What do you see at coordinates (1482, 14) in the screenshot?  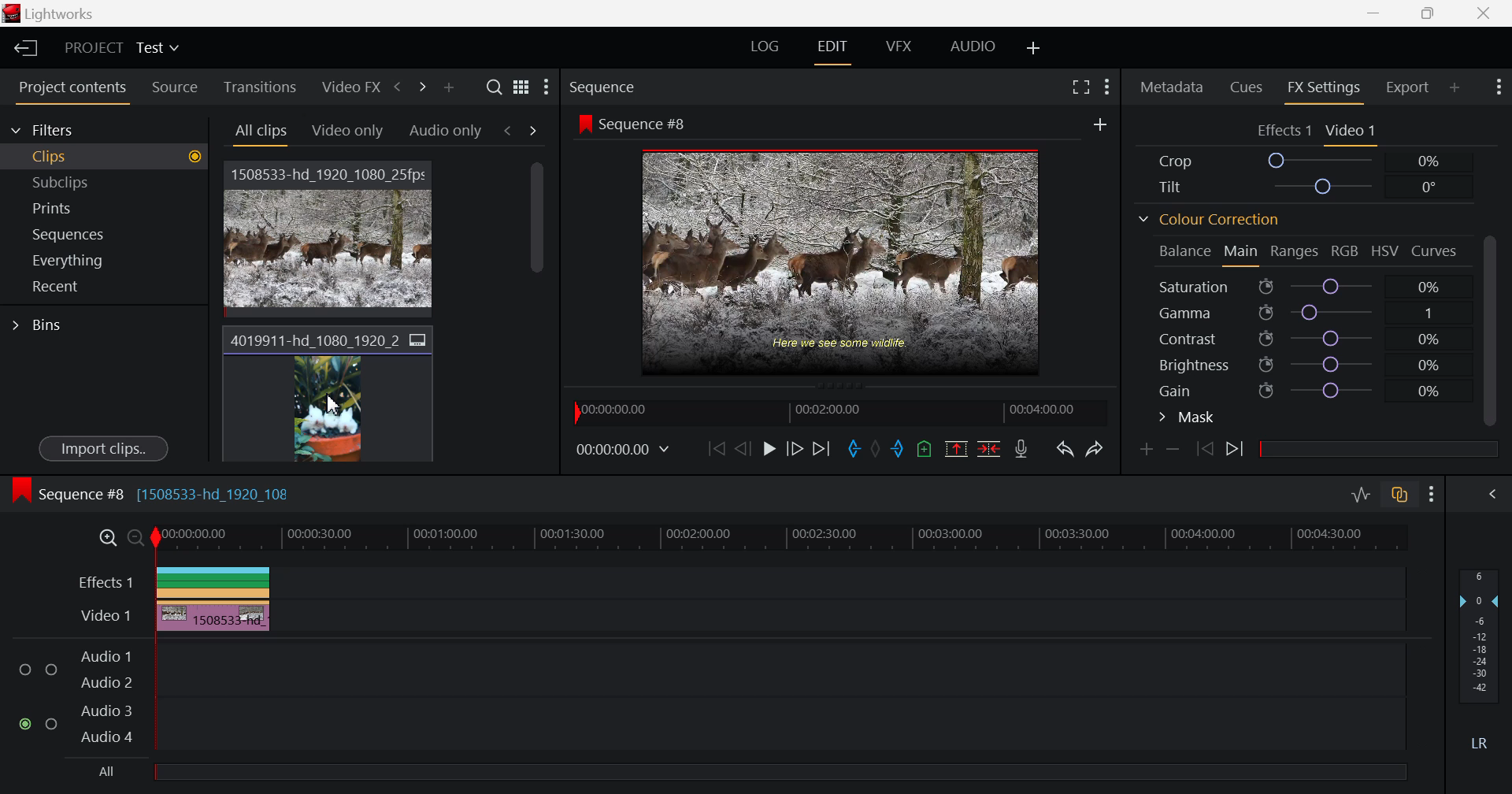 I see `Close` at bounding box center [1482, 14].